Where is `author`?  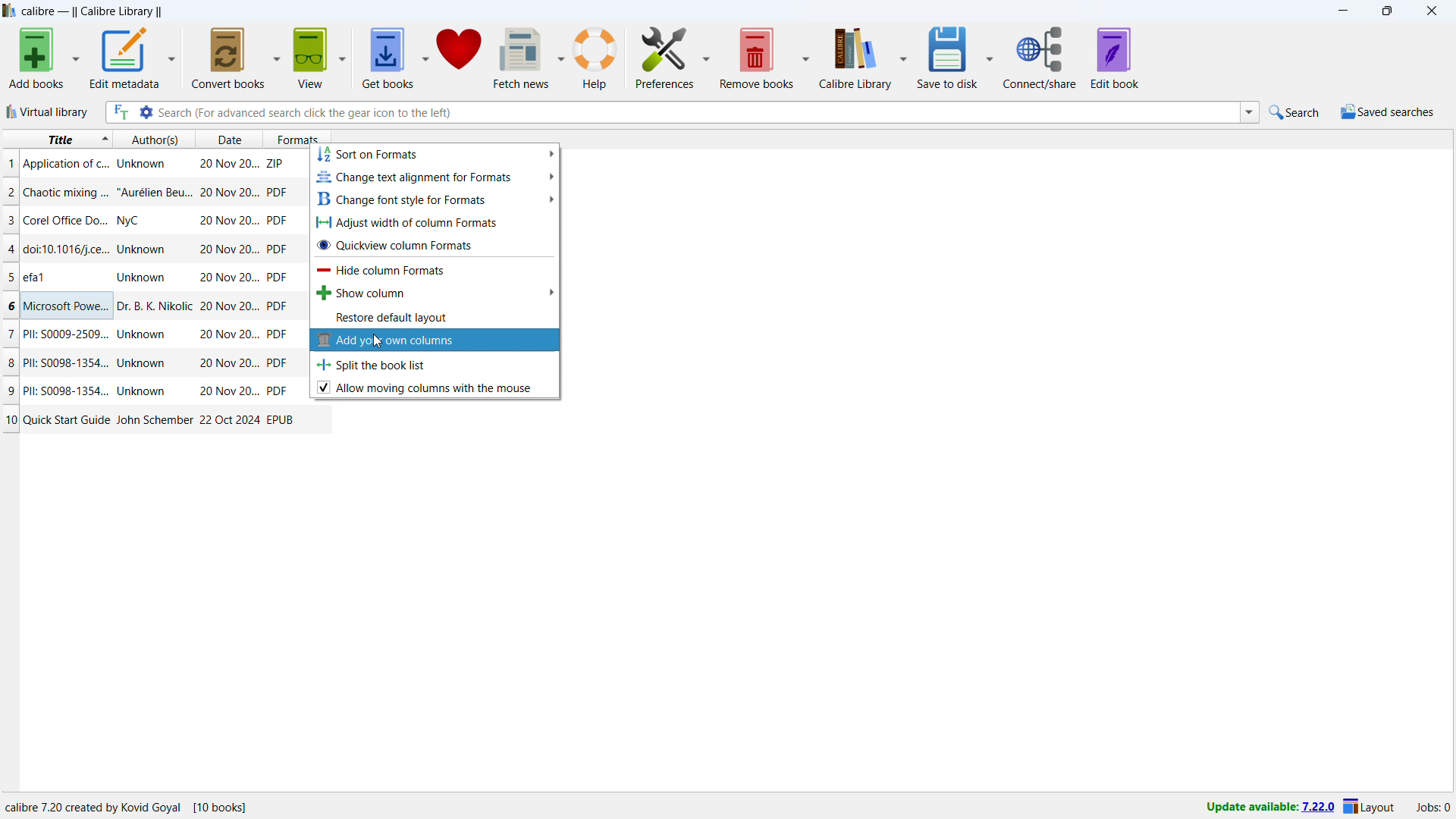 author is located at coordinates (143, 391).